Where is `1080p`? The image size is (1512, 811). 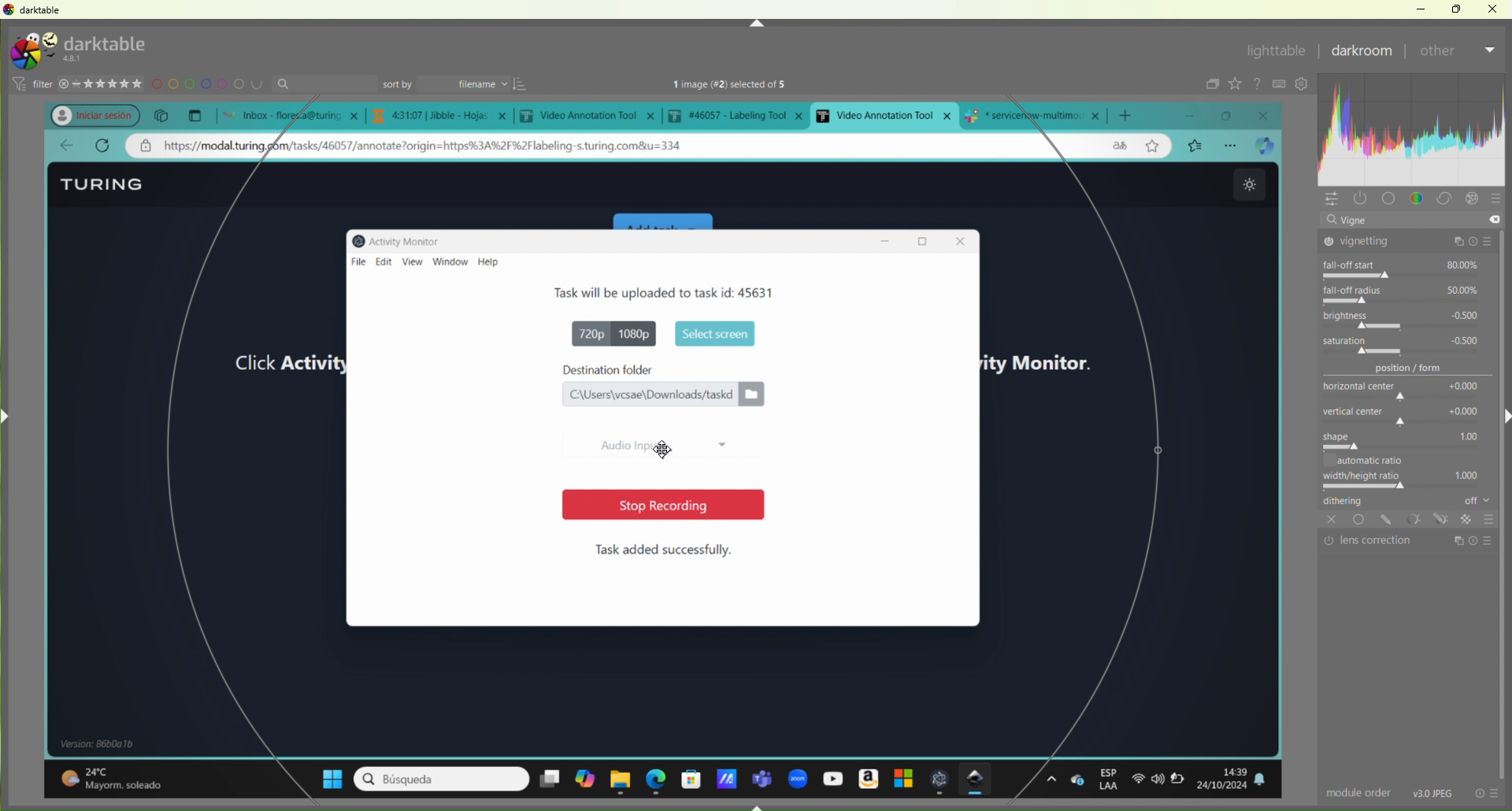
1080p is located at coordinates (638, 333).